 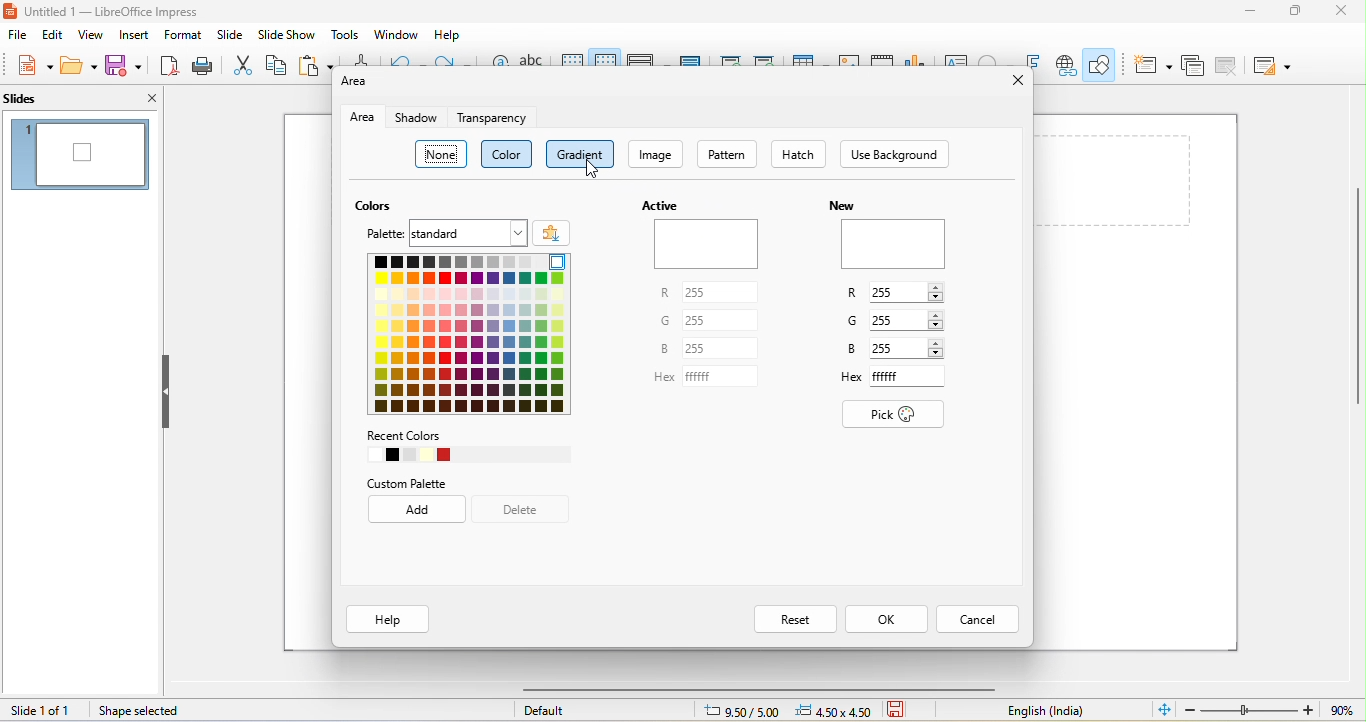 I want to click on colors, so click(x=375, y=206).